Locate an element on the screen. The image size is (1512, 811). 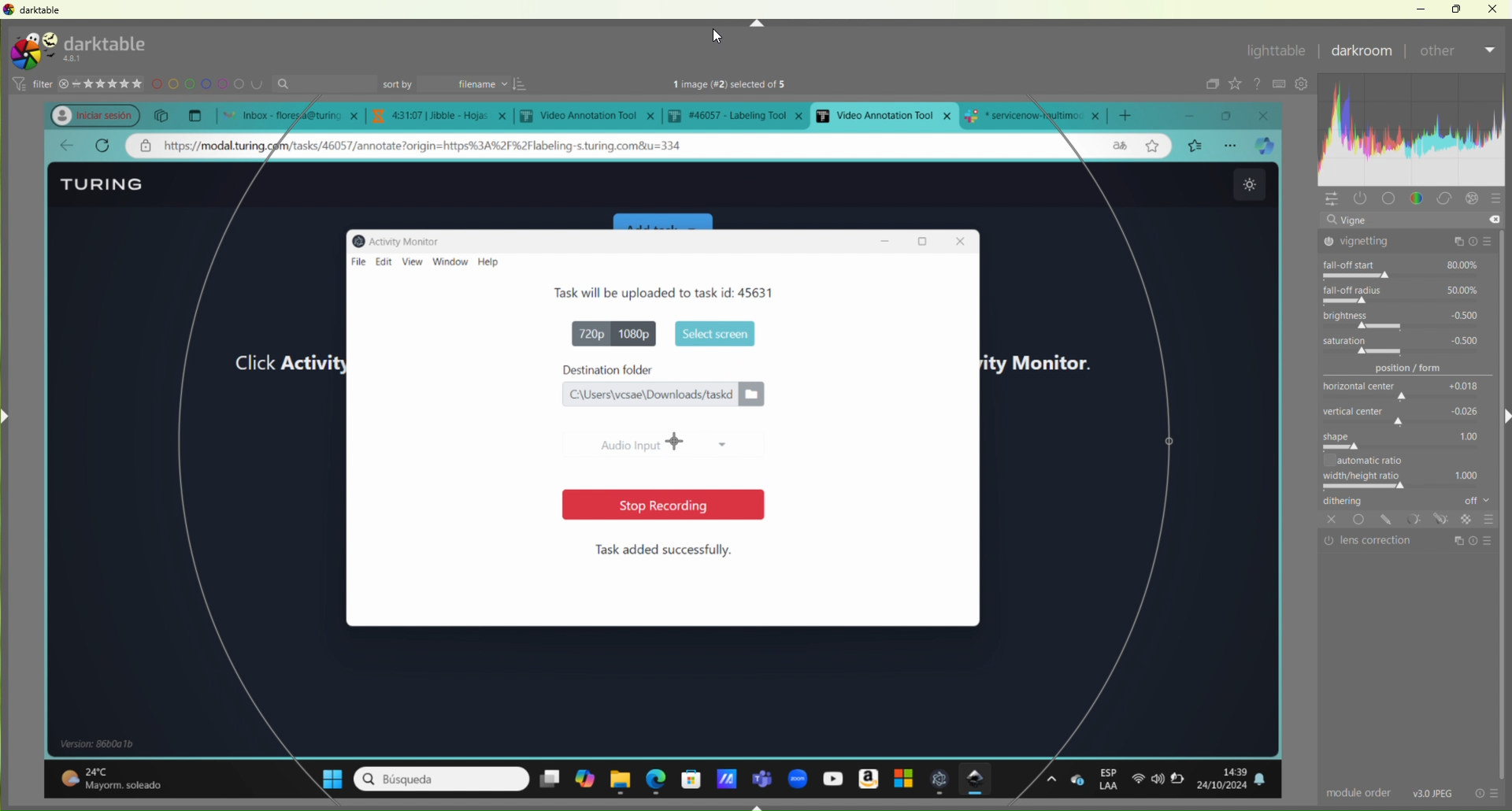
vigne is located at coordinates (1409, 220).